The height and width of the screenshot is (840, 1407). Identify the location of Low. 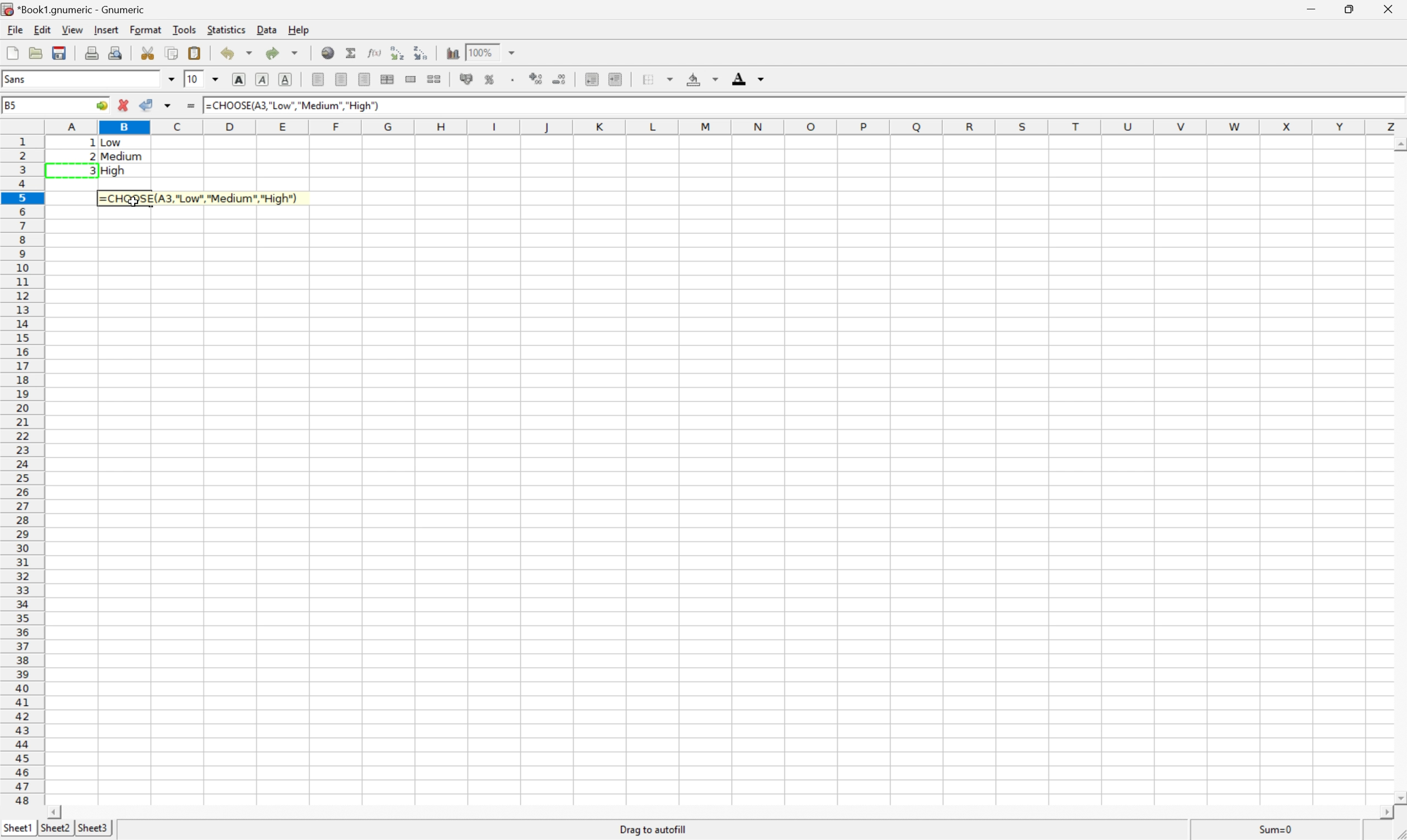
(117, 143).